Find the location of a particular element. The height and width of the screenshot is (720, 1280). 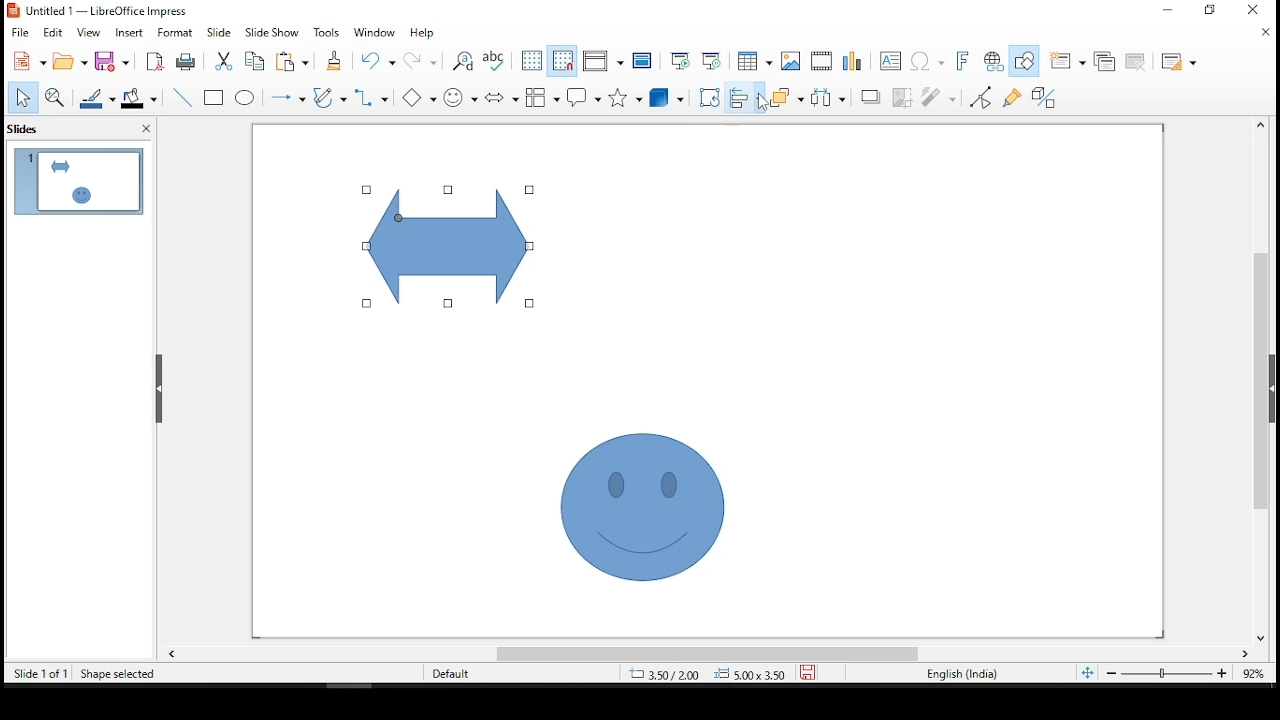

show draw functions is located at coordinates (1025, 59).